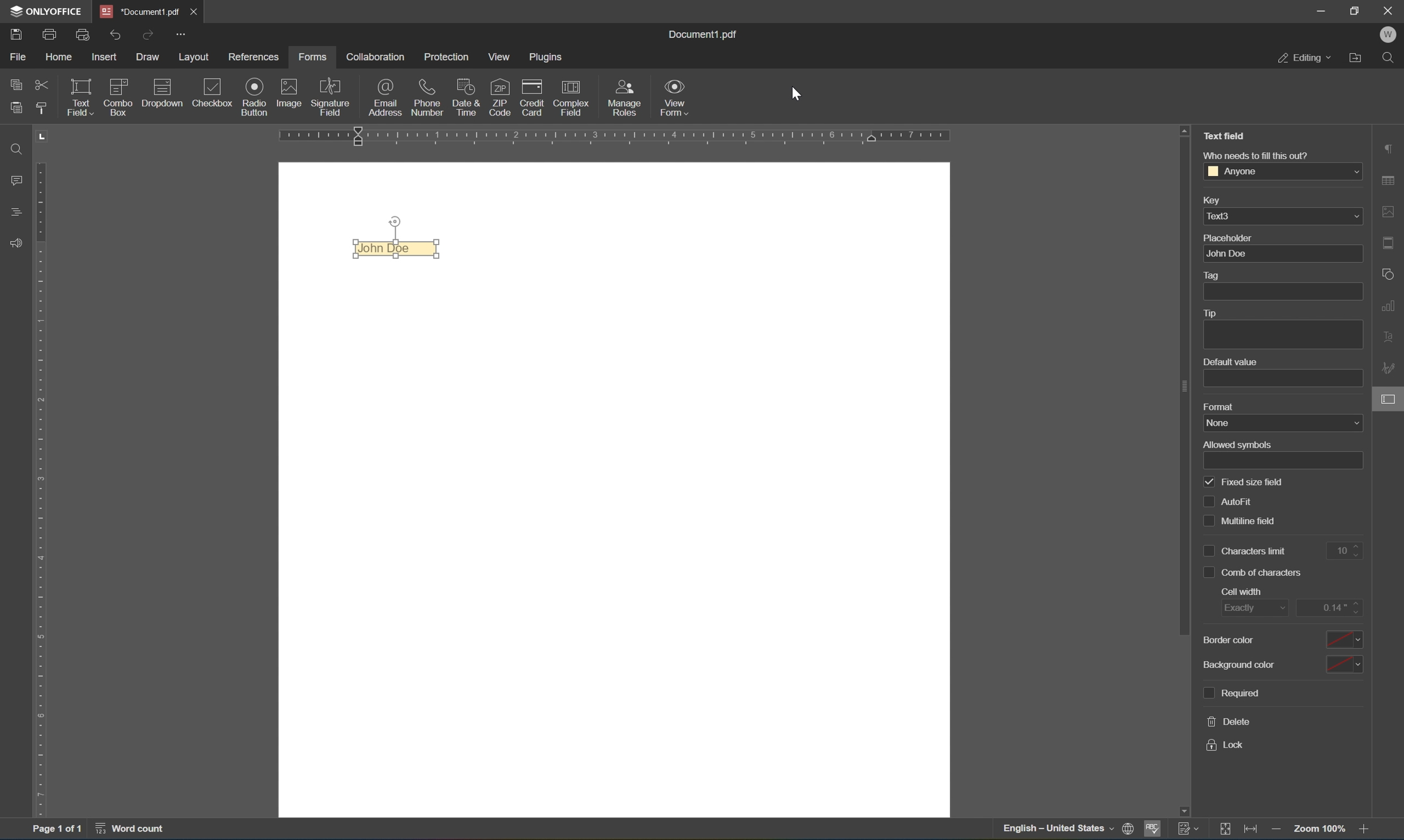 This screenshot has height=840, width=1404. What do you see at coordinates (19, 179) in the screenshot?
I see `comments` at bounding box center [19, 179].